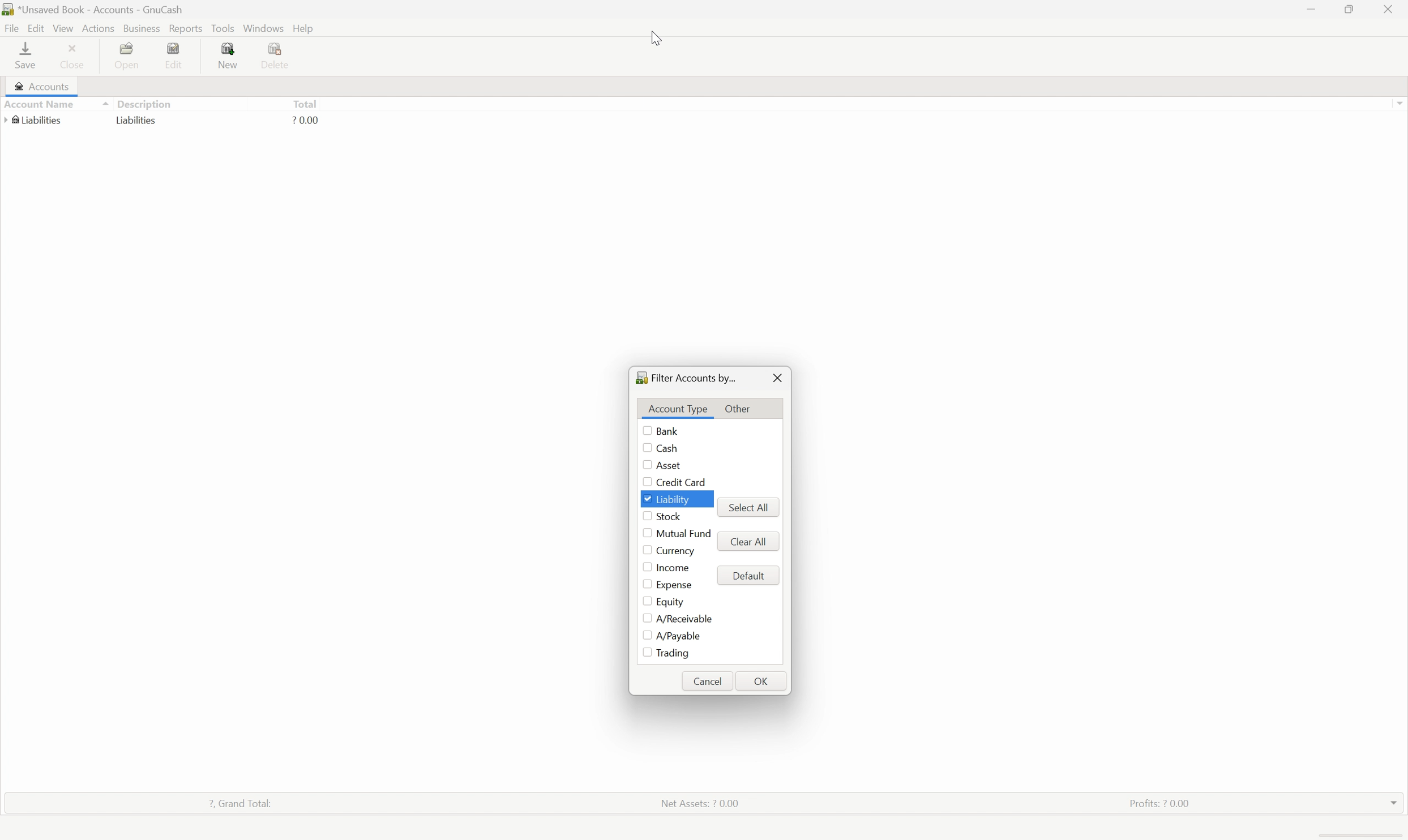 Image resolution: width=1408 pixels, height=840 pixels. Describe the element at coordinates (684, 618) in the screenshot. I see `A/Receivable` at that location.